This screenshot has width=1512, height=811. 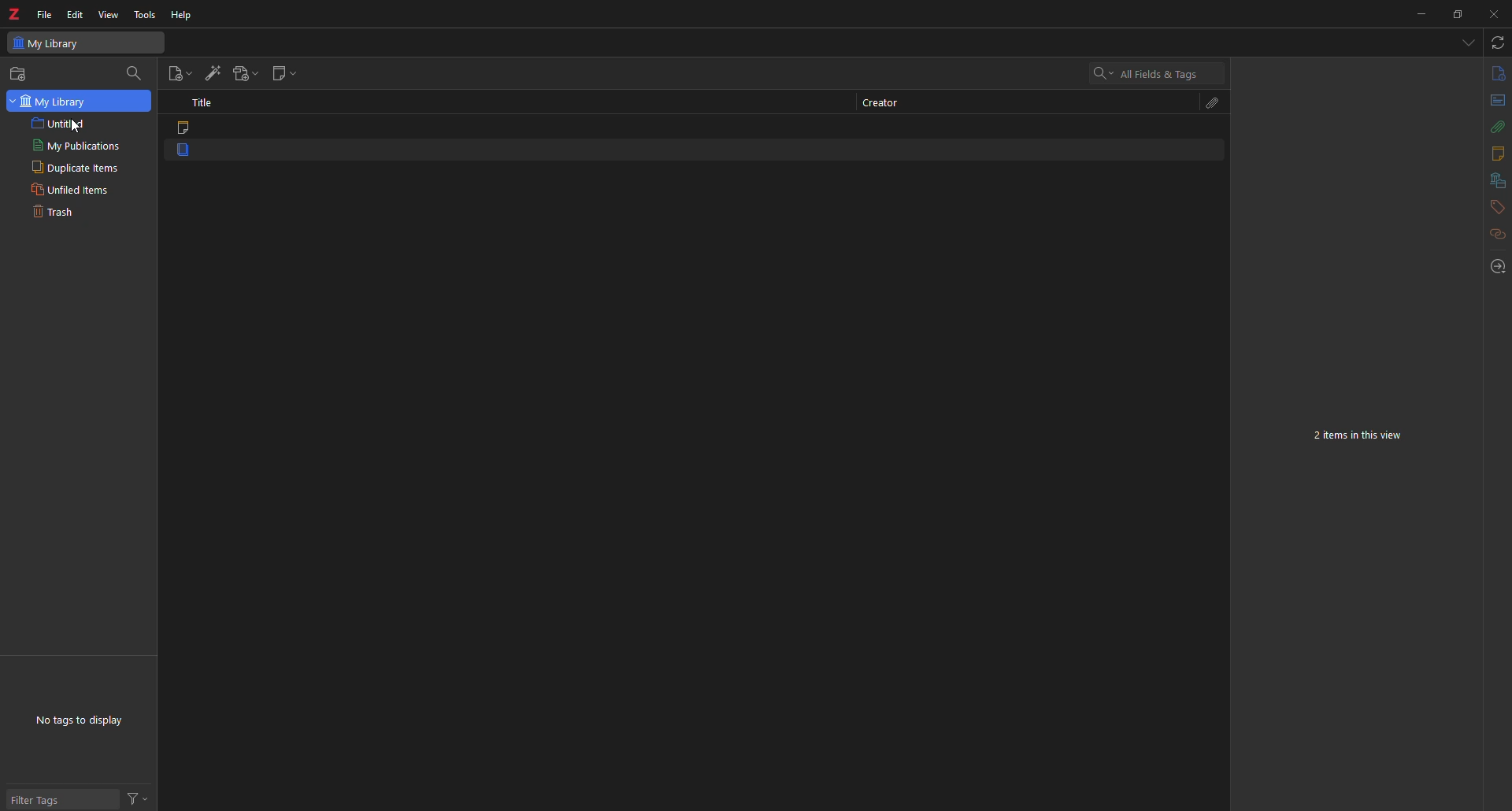 I want to click on edit, so click(x=76, y=14).